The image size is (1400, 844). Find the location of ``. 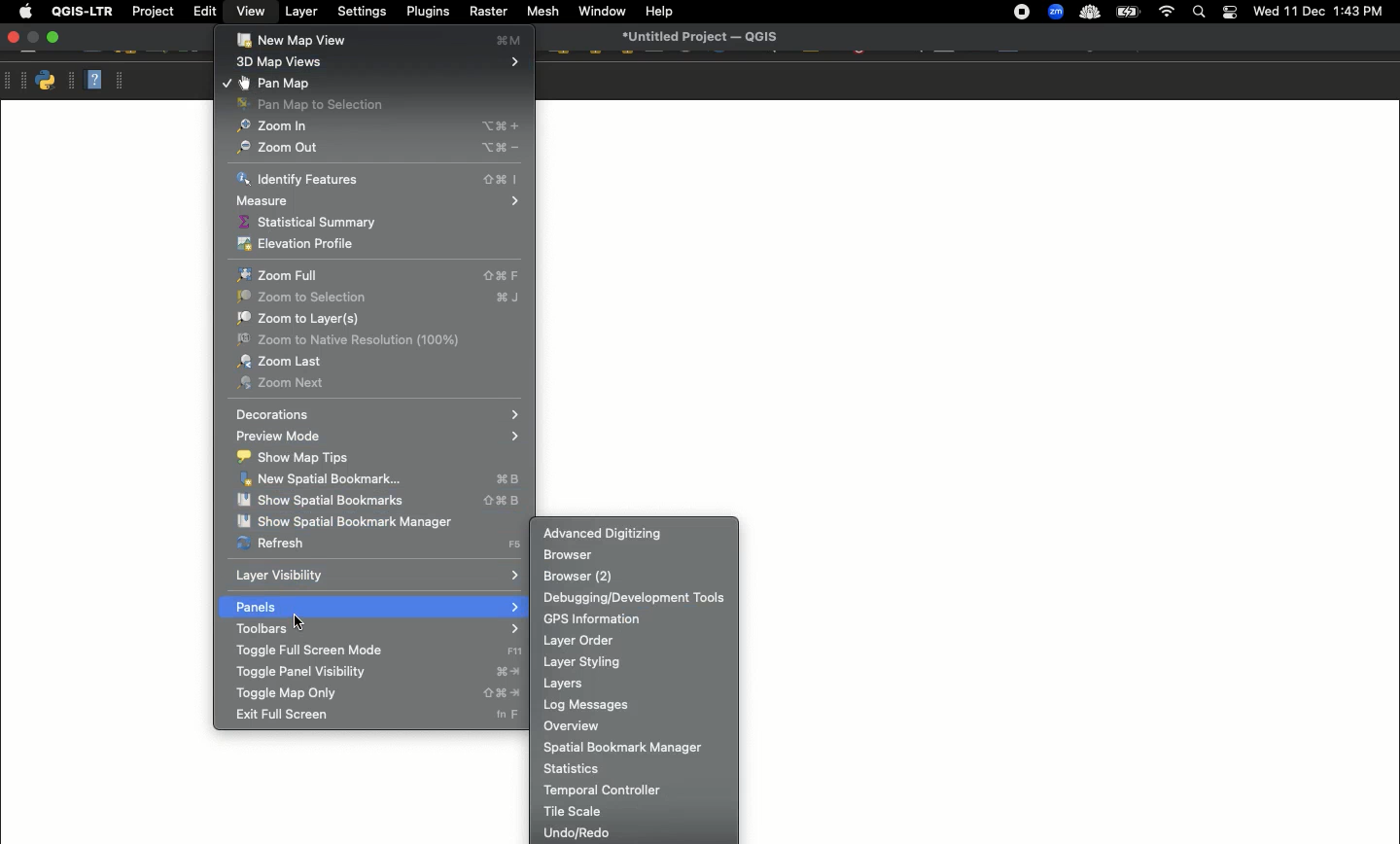

 is located at coordinates (1056, 12).